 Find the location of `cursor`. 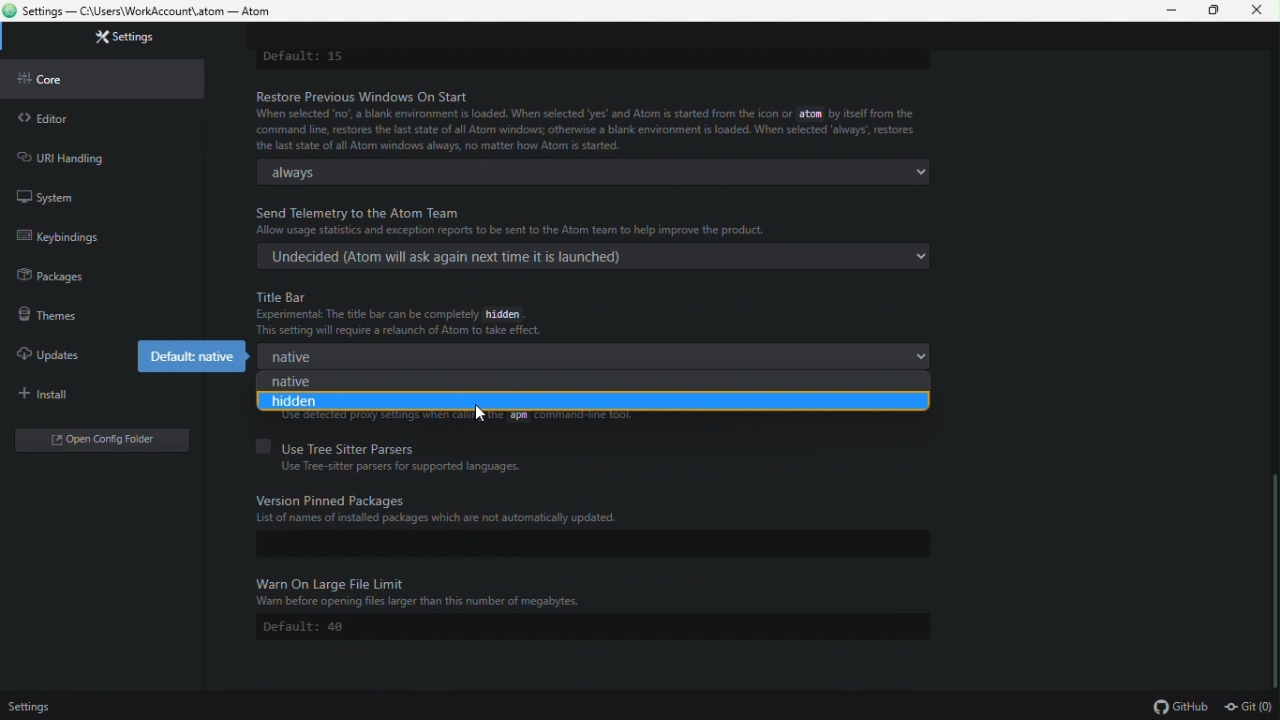

cursor is located at coordinates (484, 414).